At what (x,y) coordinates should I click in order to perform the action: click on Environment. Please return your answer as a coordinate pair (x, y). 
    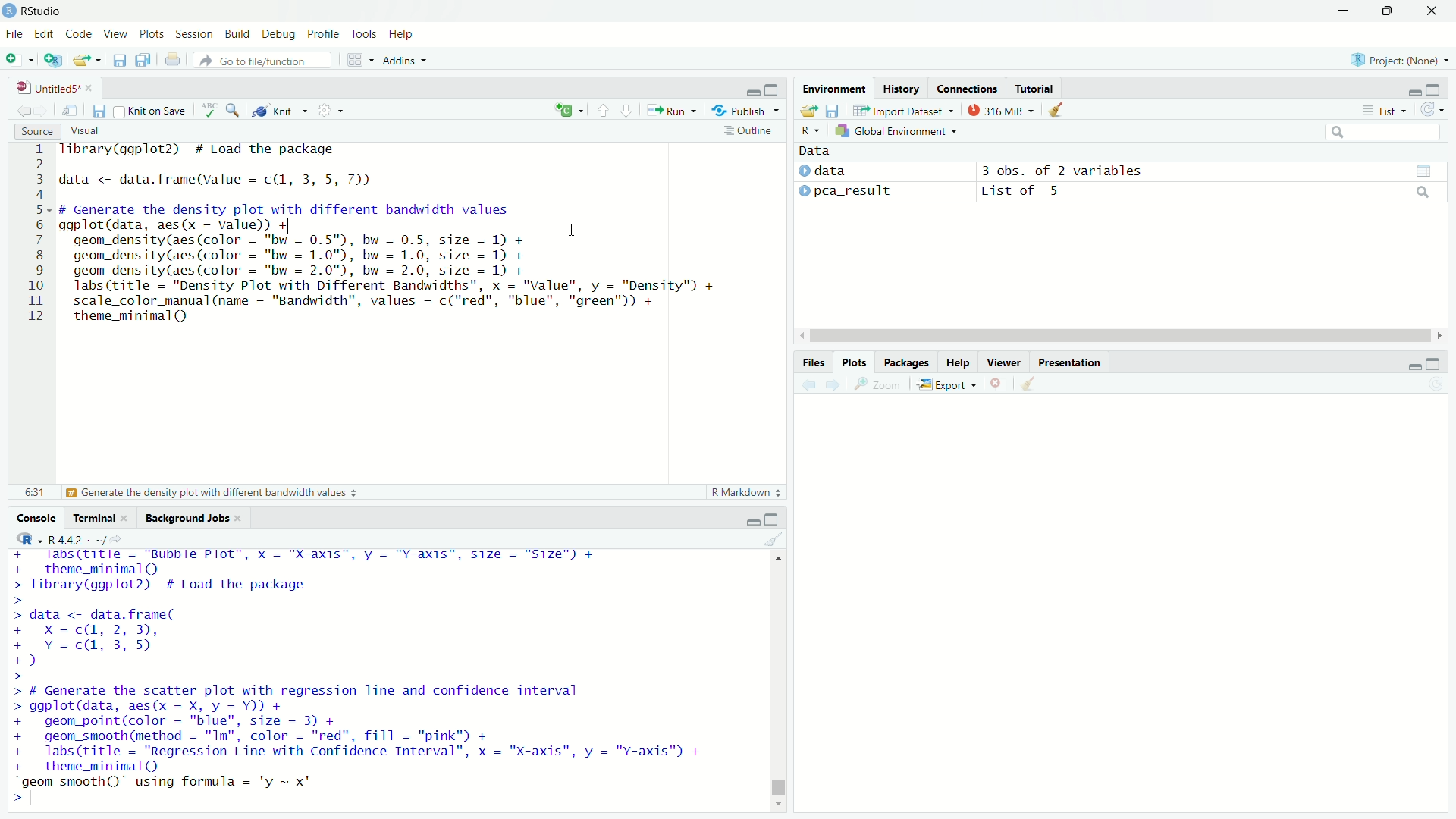
    Looking at the image, I should click on (835, 88).